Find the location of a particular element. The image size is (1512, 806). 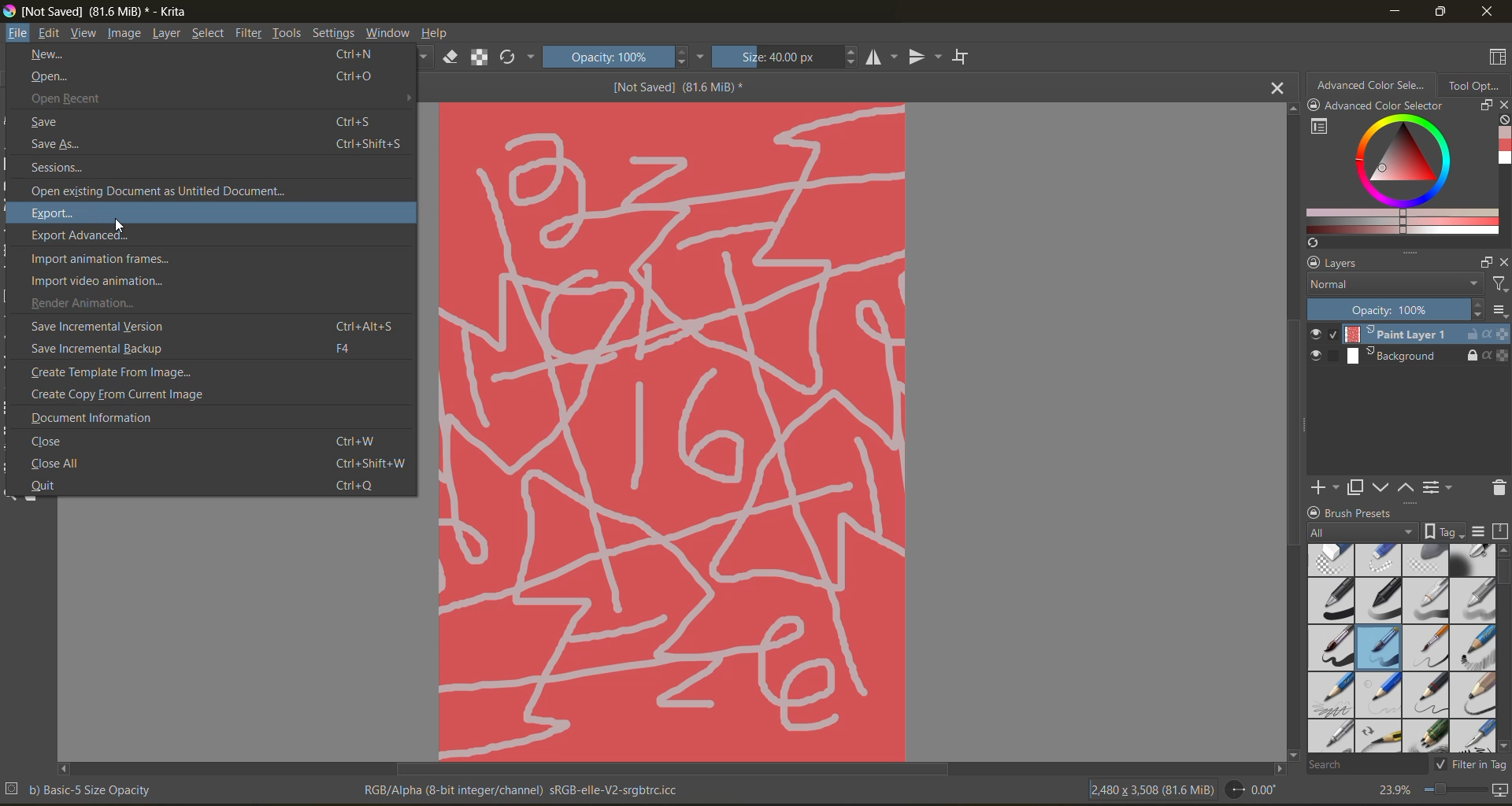

window is located at coordinates (387, 33).